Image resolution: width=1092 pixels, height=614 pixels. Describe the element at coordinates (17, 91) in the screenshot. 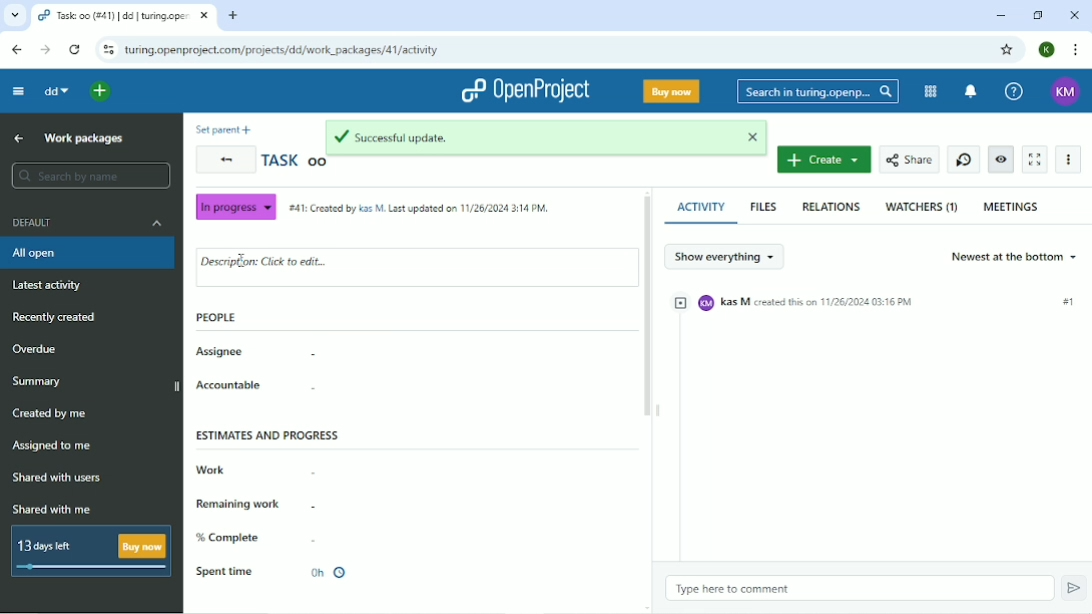

I see `Collapse project menu` at that location.